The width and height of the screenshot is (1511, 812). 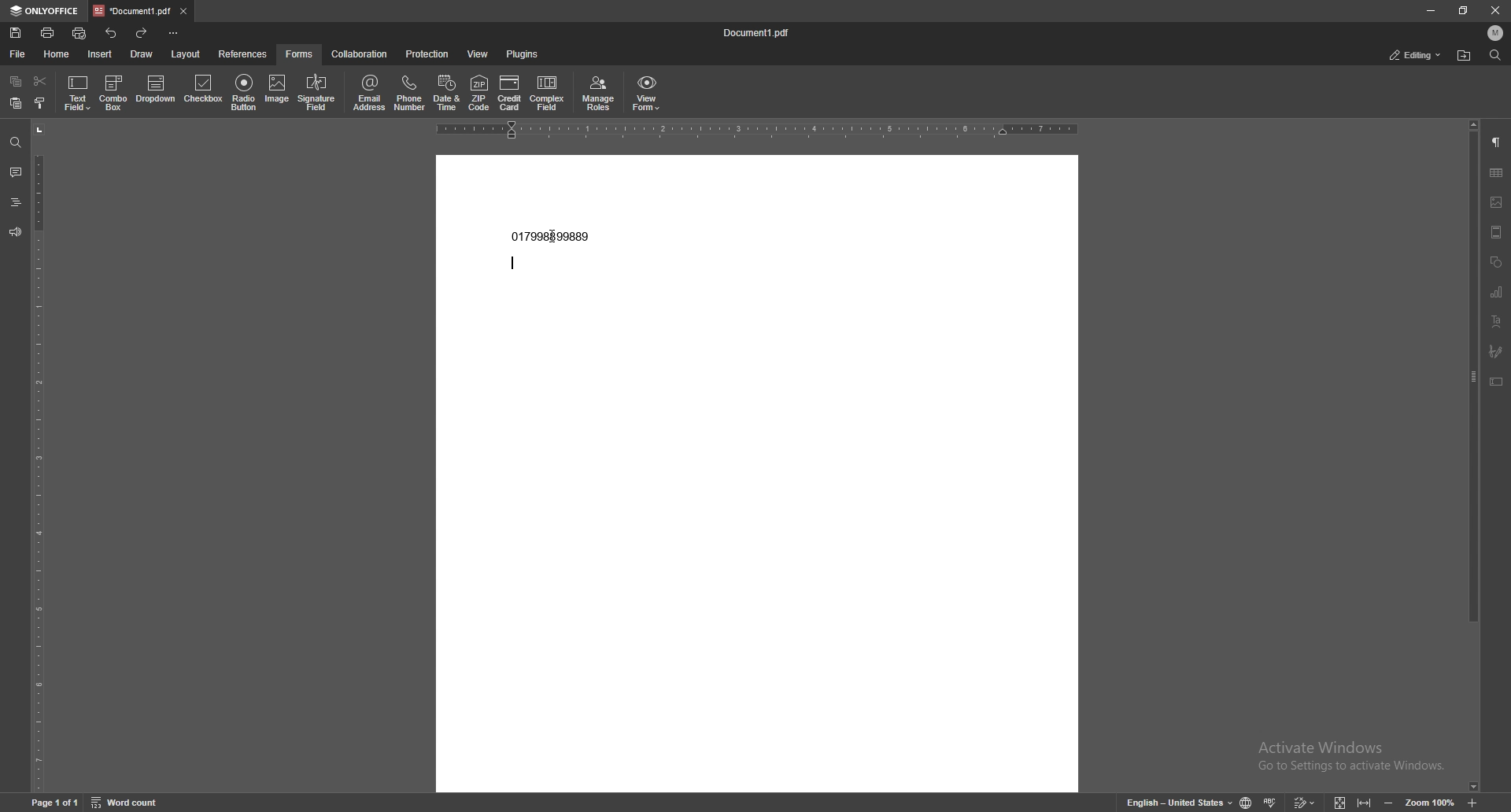 What do you see at coordinates (1270, 803) in the screenshot?
I see `spell check` at bounding box center [1270, 803].